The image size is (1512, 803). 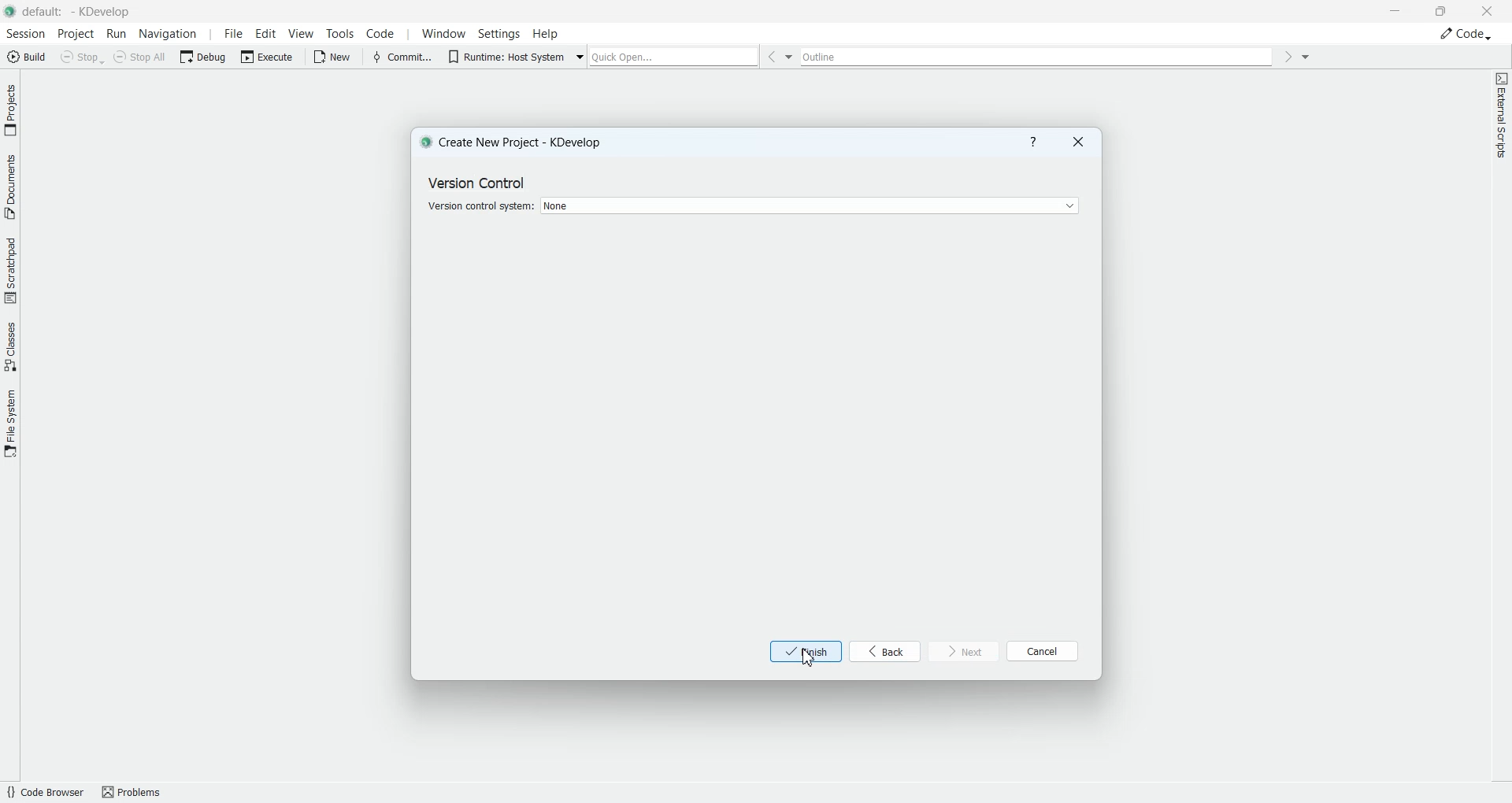 What do you see at coordinates (339, 34) in the screenshot?
I see `Tools` at bounding box center [339, 34].